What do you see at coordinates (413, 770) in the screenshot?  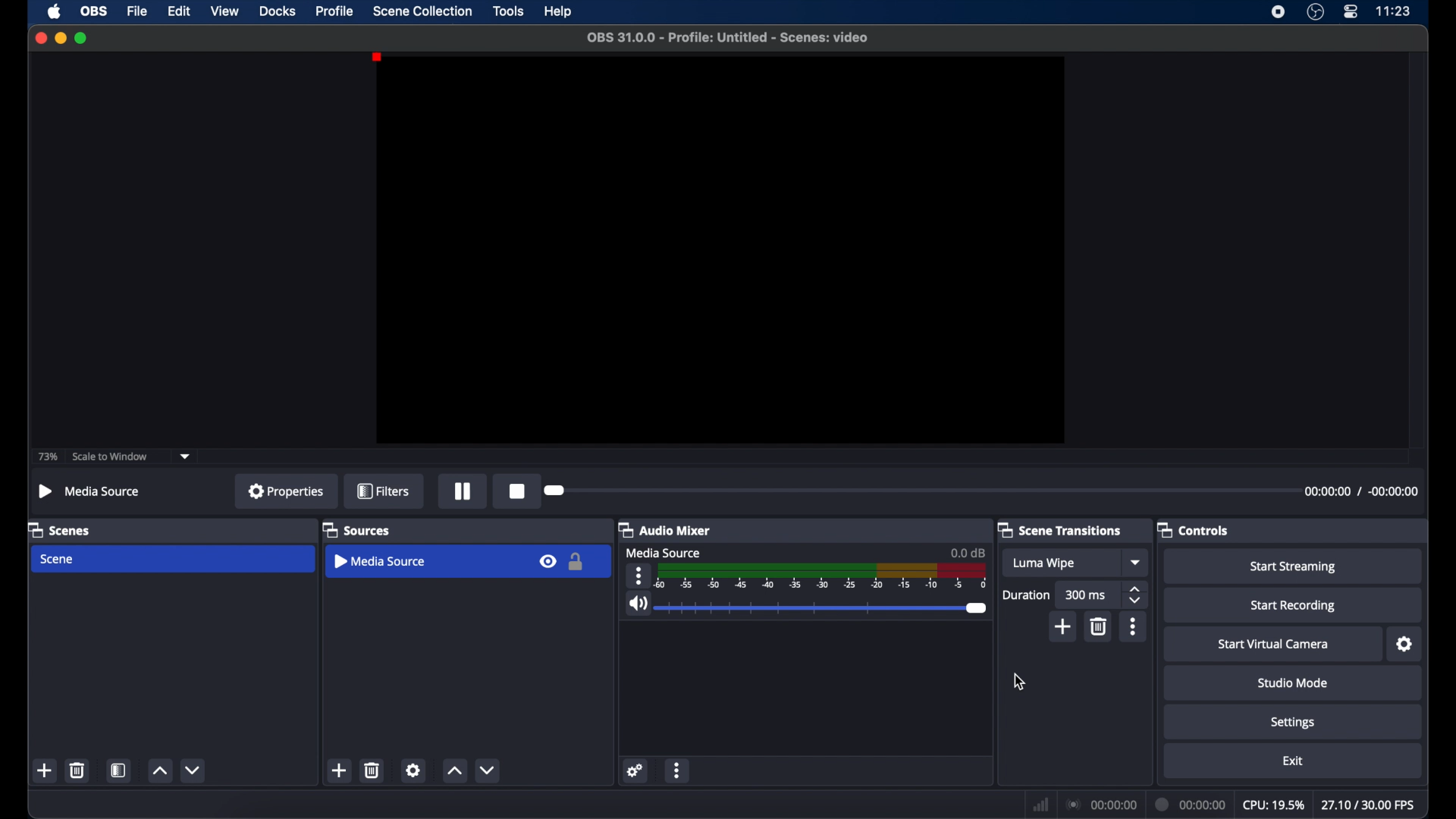 I see `settings` at bounding box center [413, 770].